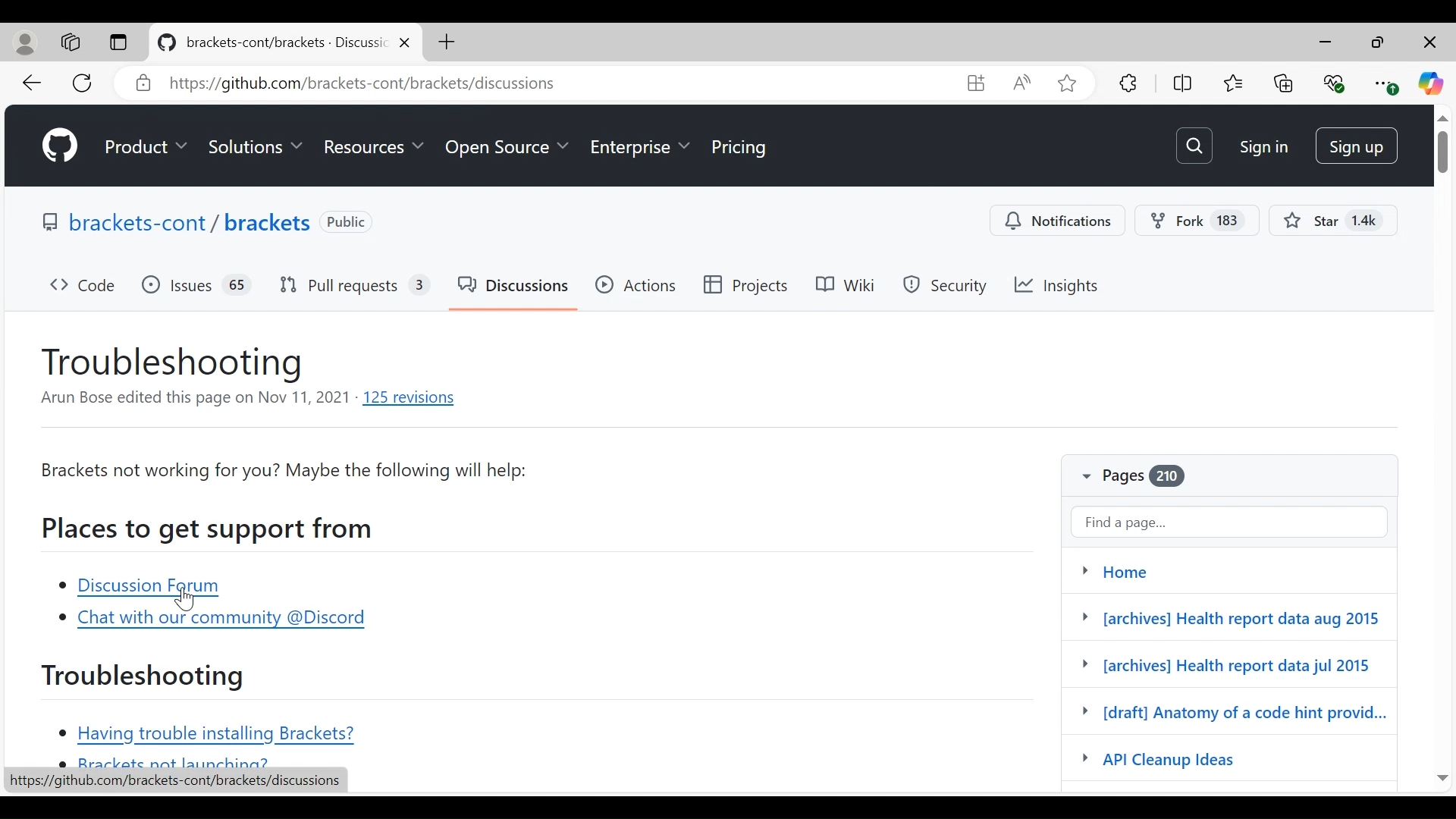  Describe the element at coordinates (1442, 451) in the screenshot. I see `Vertical Scroll bar` at that location.